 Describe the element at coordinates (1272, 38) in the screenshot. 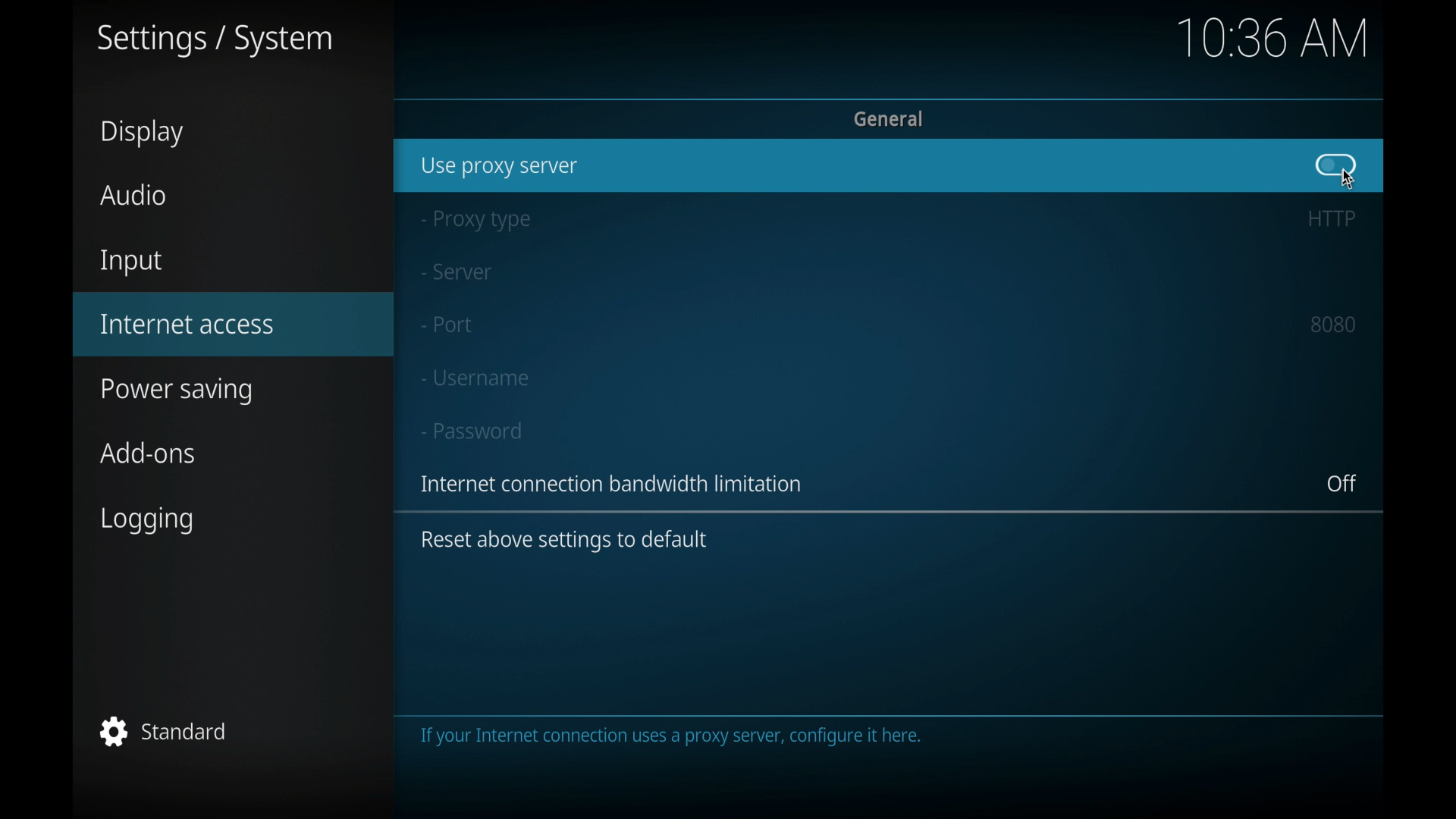

I see `10.36 am` at that location.